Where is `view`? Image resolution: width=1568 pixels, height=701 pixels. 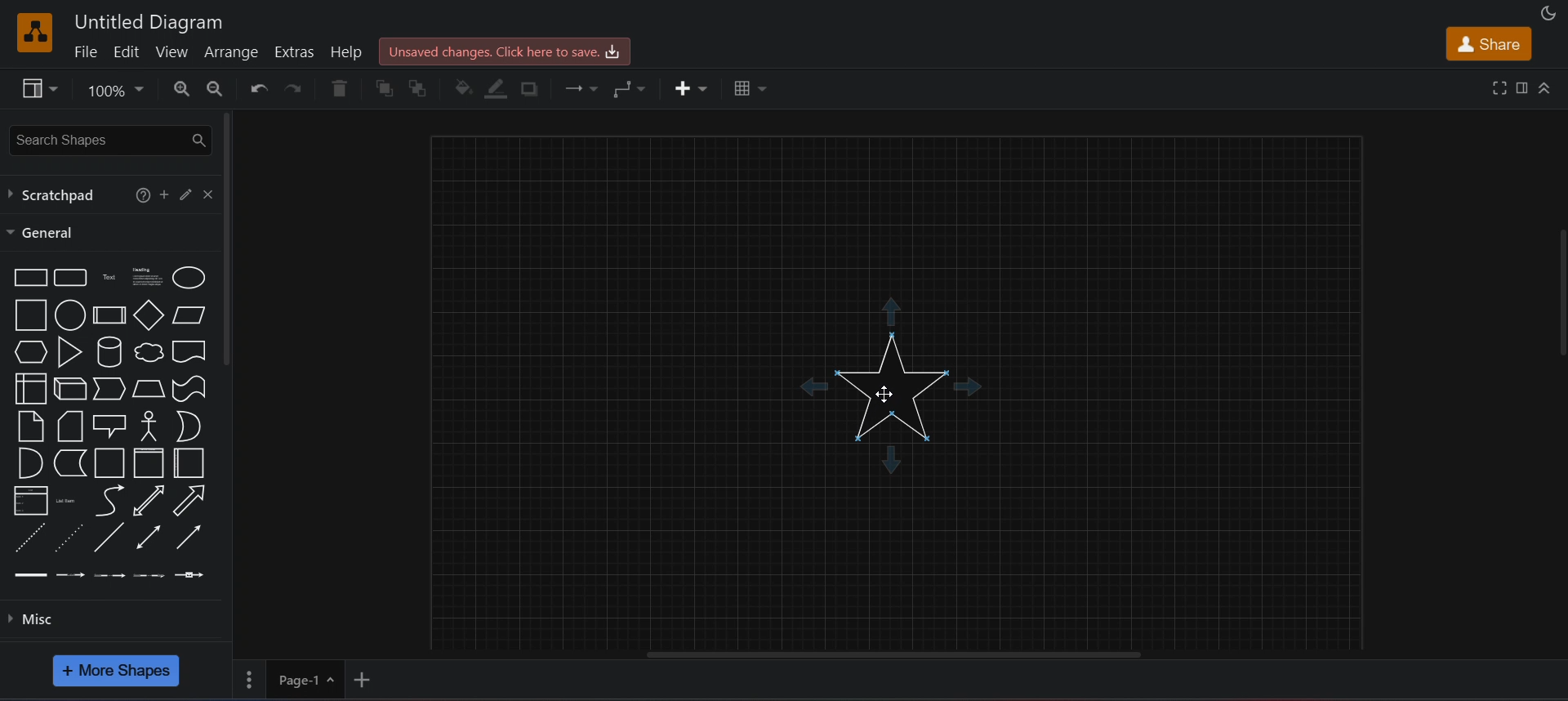 view is located at coordinates (177, 50).